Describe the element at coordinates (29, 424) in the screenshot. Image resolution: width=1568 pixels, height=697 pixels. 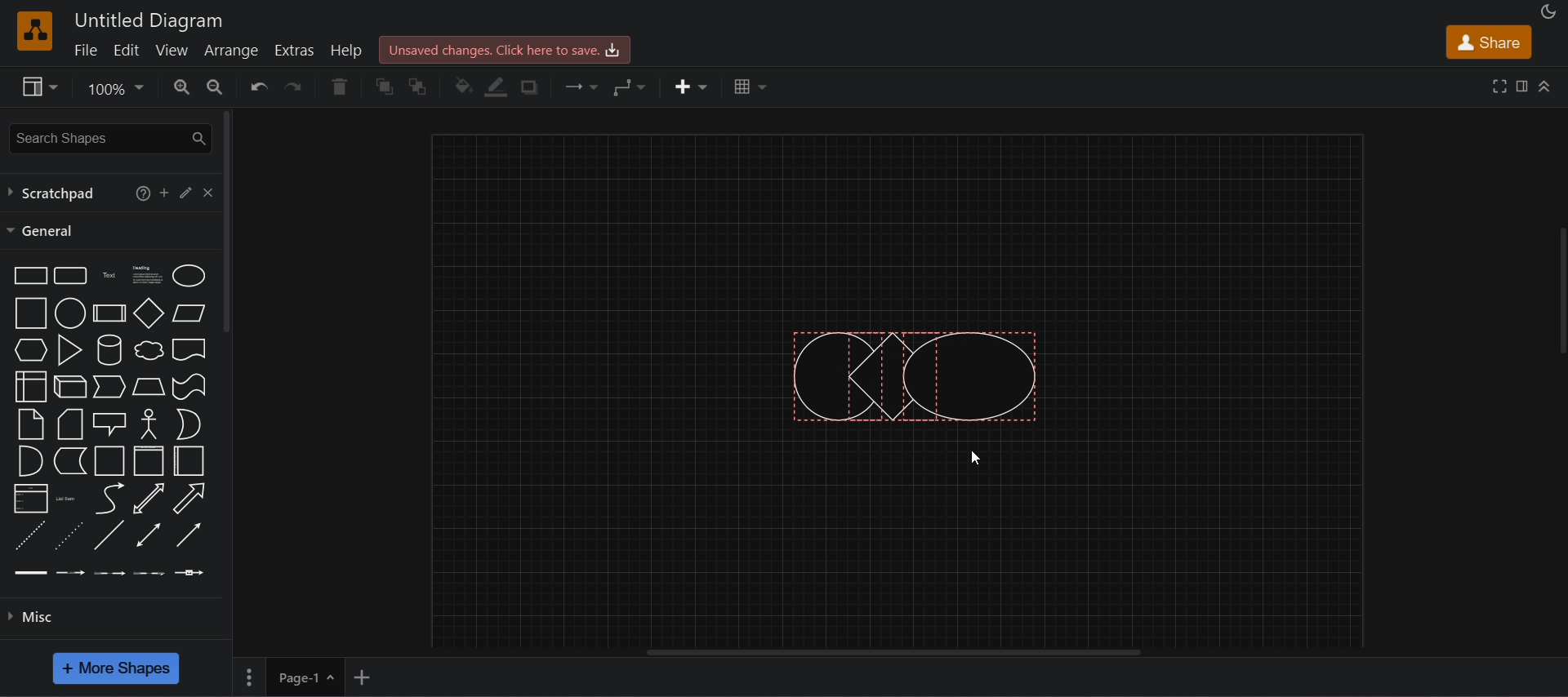
I see `note` at that location.